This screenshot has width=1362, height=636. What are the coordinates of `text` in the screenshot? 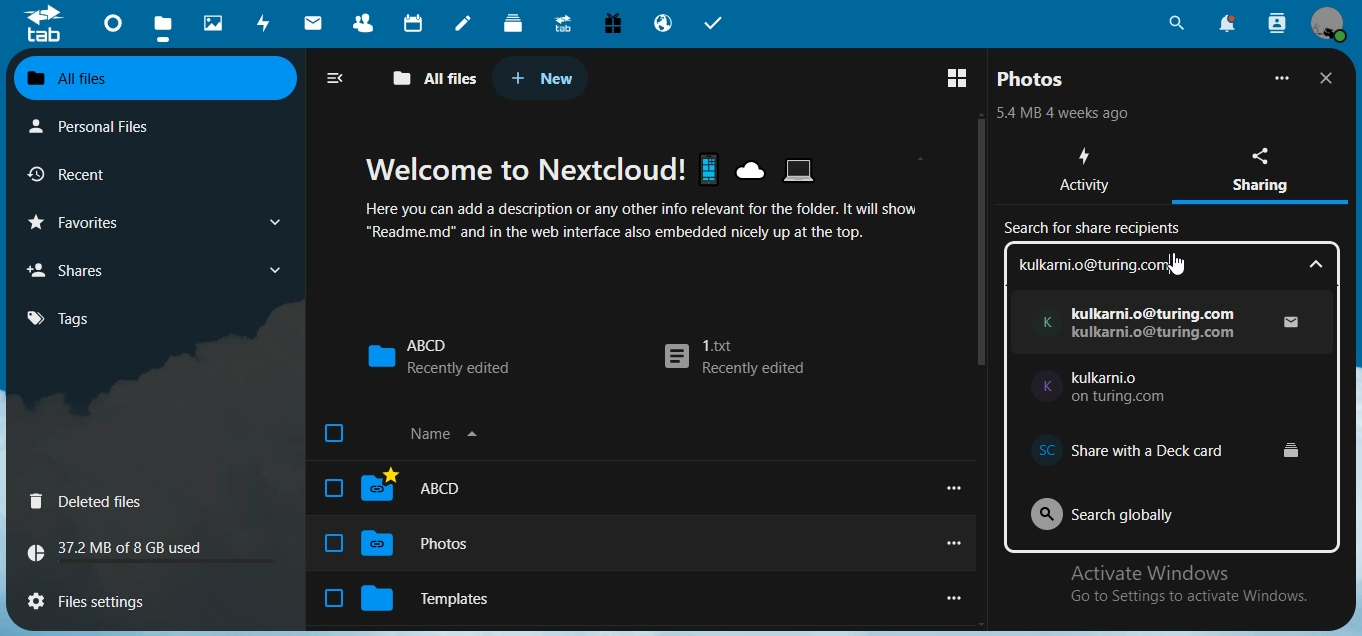 It's located at (659, 197).